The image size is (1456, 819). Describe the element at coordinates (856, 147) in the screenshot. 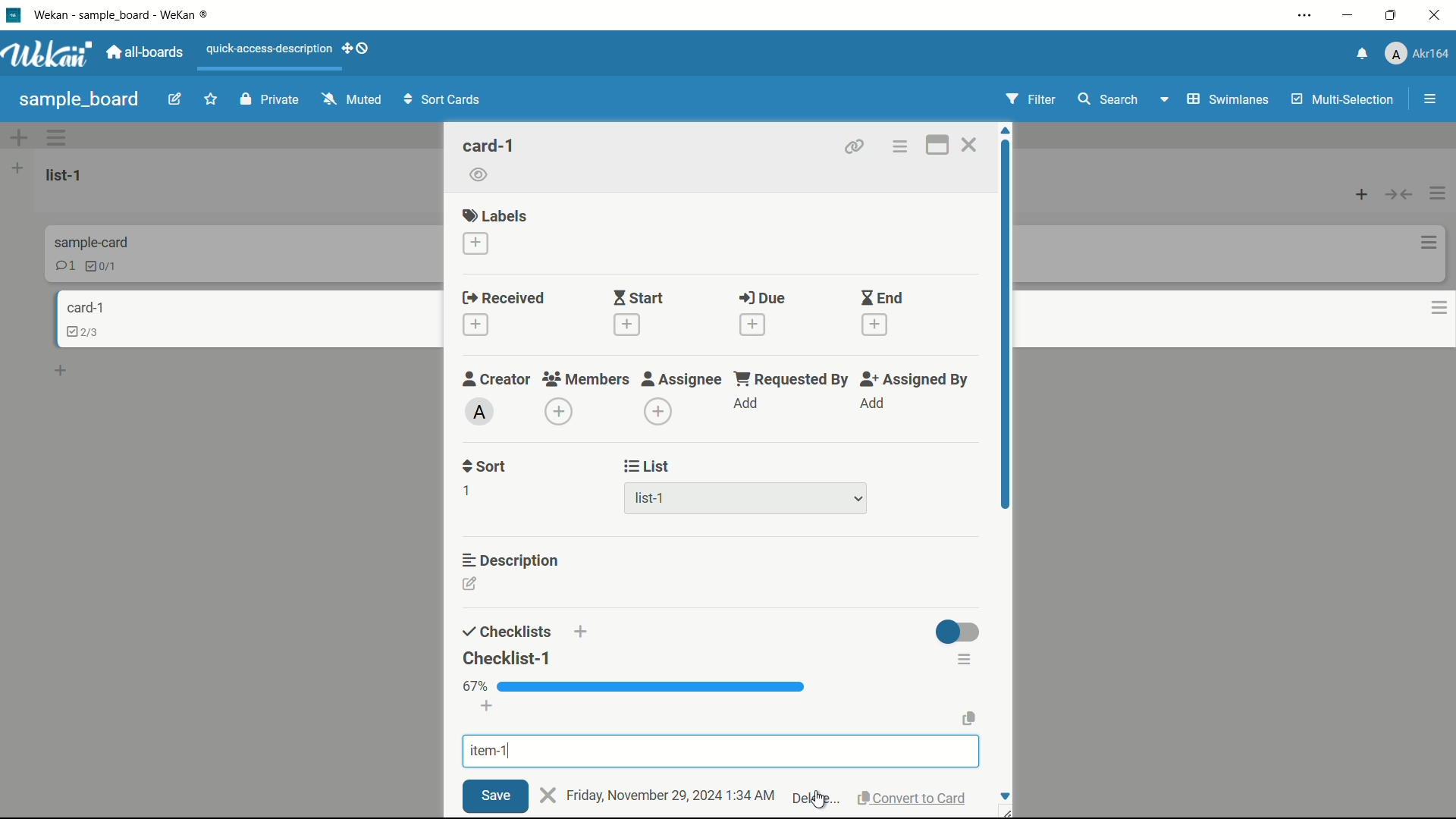

I see `copy card link to clipboard` at that location.